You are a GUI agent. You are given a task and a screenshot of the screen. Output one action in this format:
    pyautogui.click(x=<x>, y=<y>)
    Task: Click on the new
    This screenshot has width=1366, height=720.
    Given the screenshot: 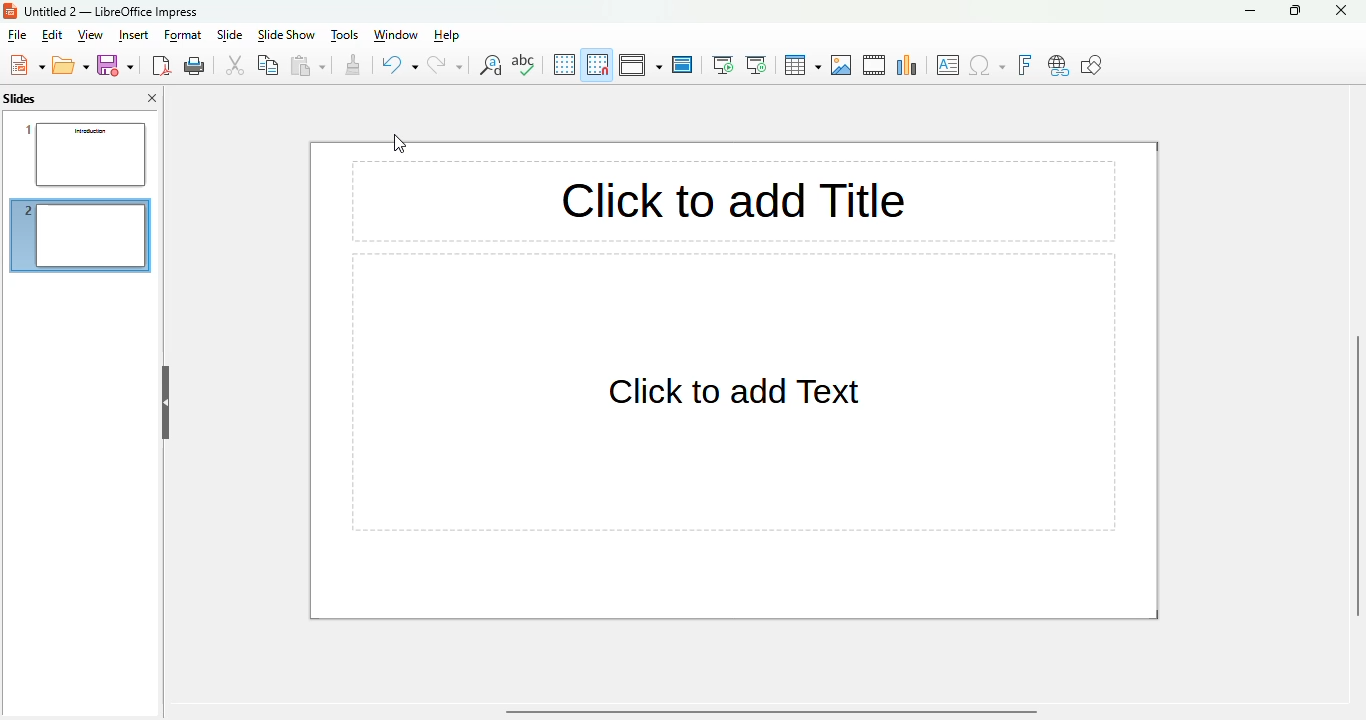 What is the action you would take?
    pyautogui.click(x=27, y=65)
    